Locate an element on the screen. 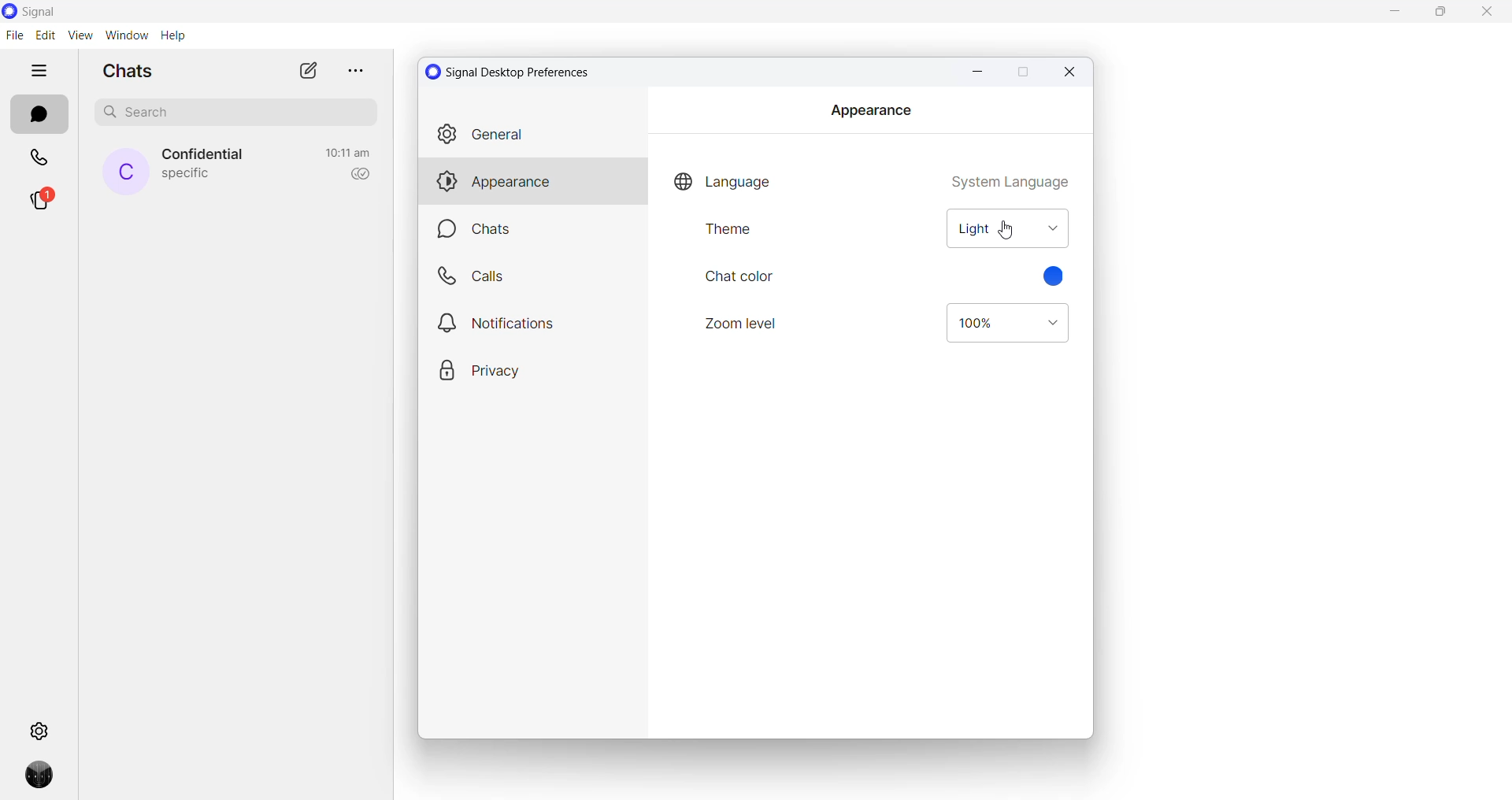 This screenshot has height=800, width=1512. search chat is located at coordinates (242, 116).